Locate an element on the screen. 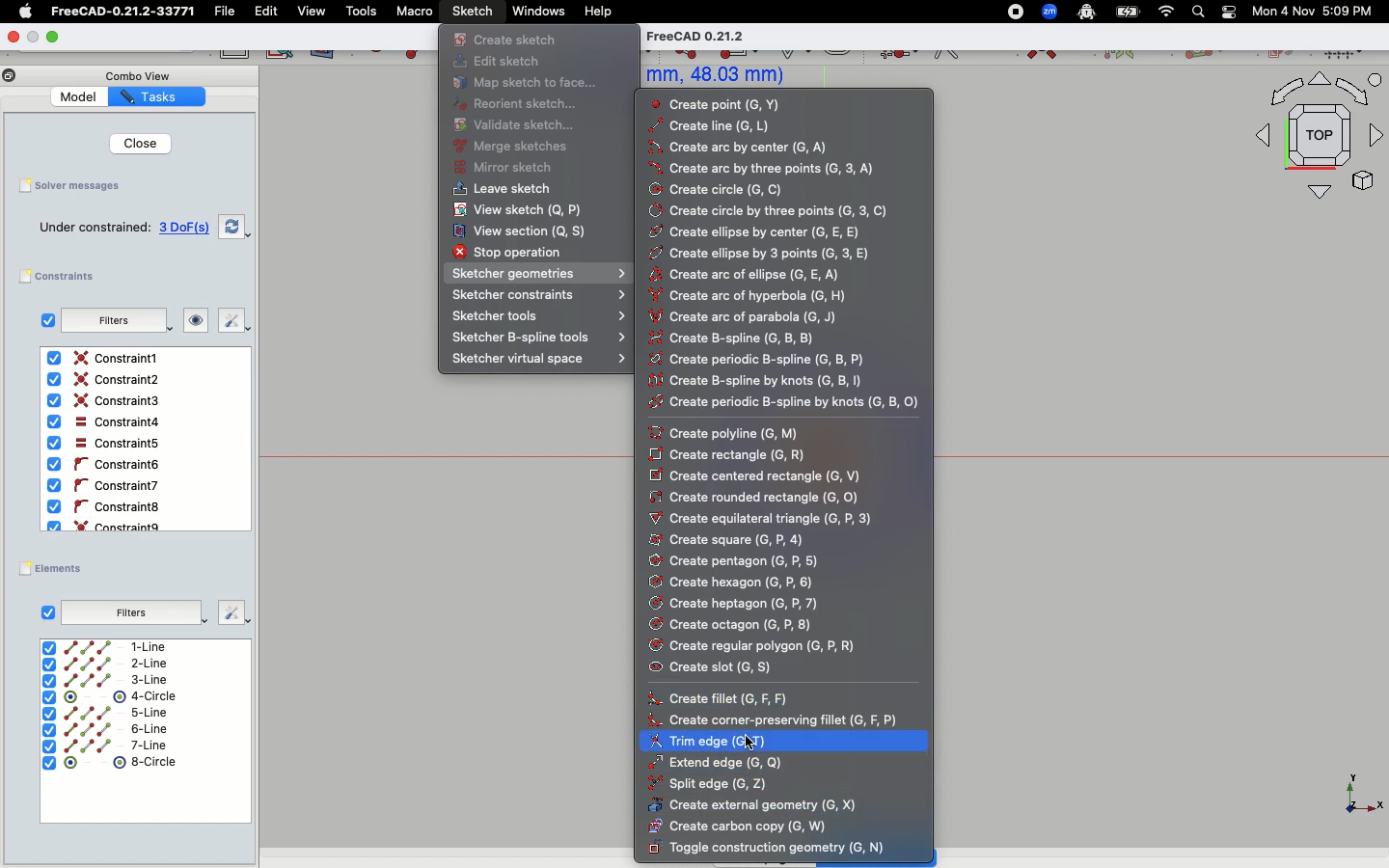  Fix is located at coordinates (231, 611).